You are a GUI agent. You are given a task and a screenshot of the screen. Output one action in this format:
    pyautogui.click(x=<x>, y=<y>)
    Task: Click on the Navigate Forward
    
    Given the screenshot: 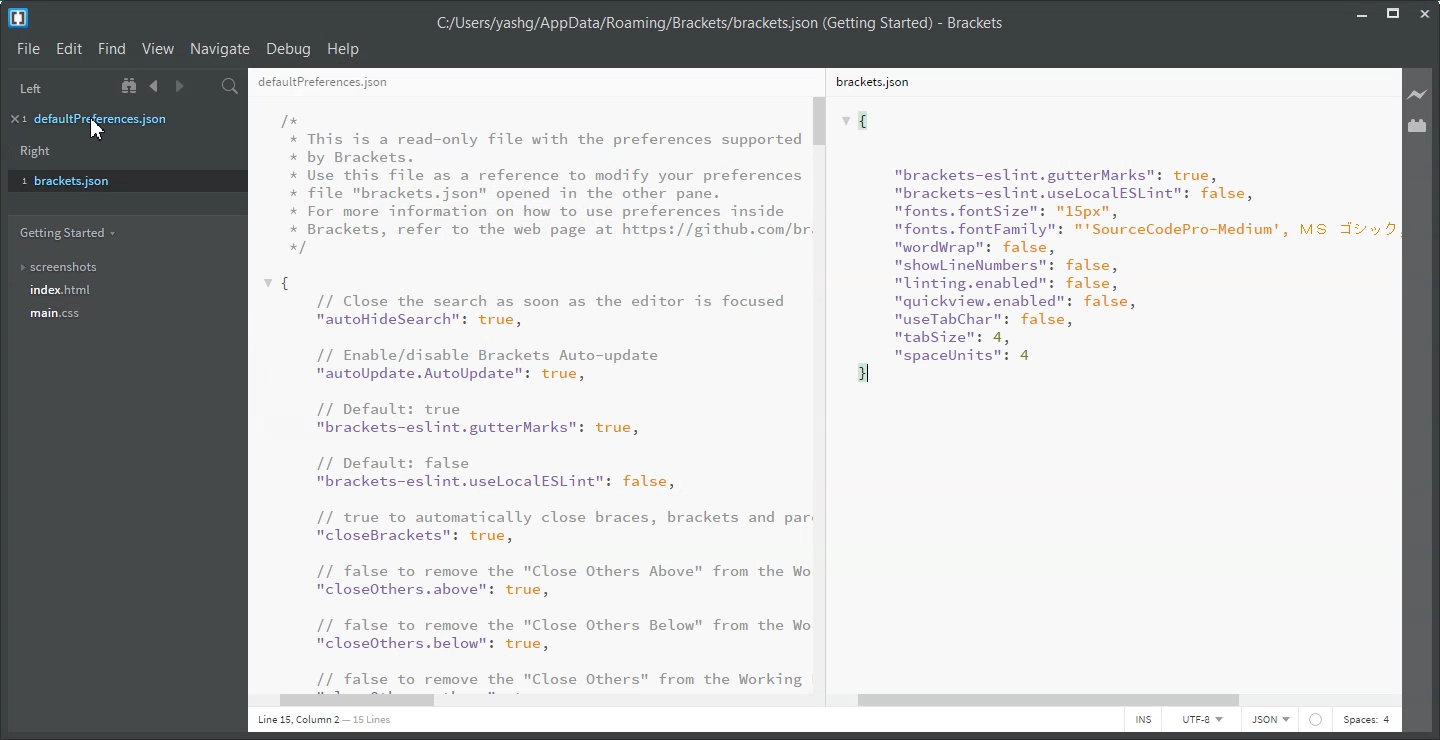 What is the action you would take?
    pyautogui.click(x=176, y=85)
    